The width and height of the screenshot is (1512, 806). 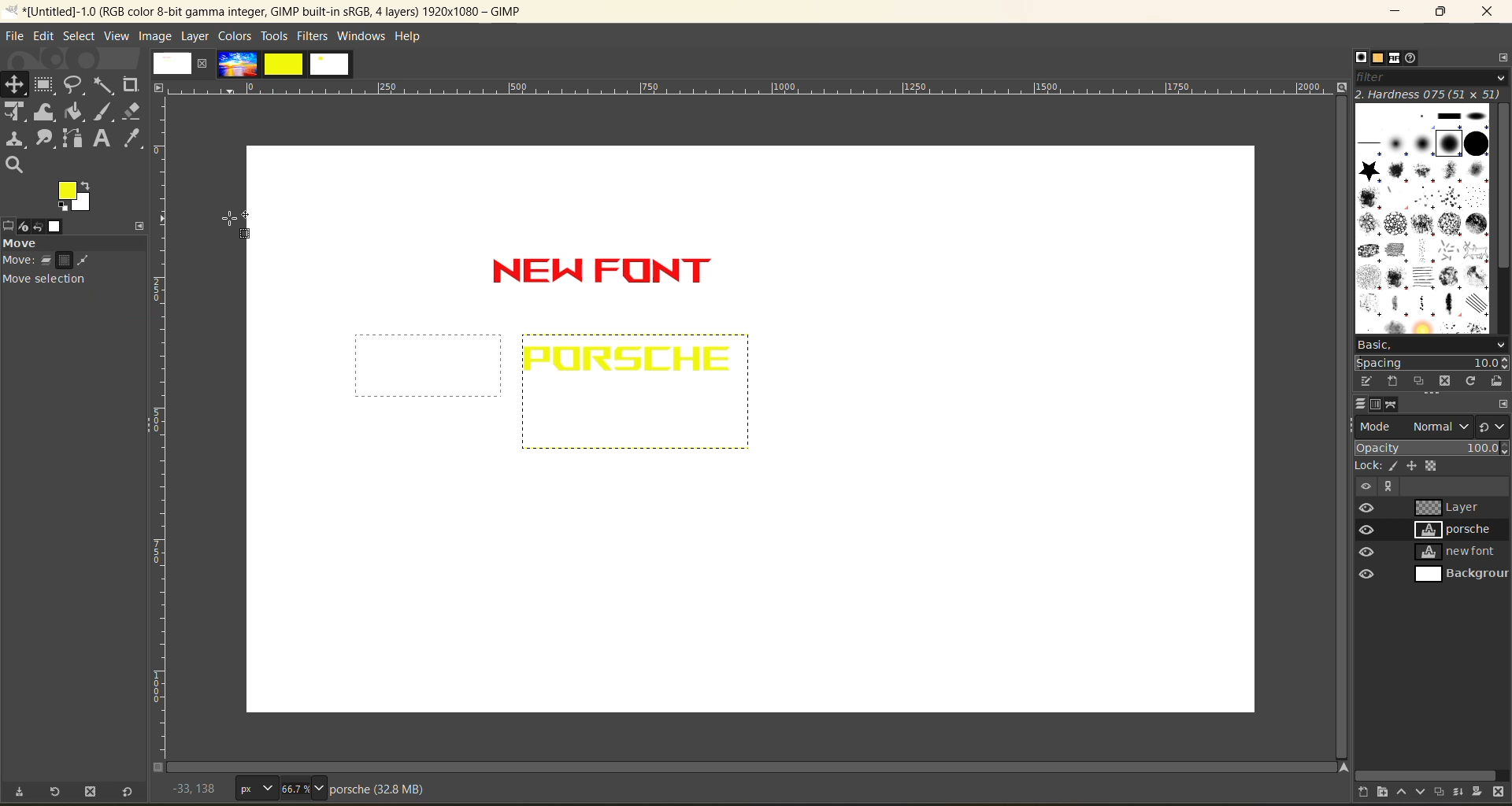 I want to click on text after action redone, so click(x=629, y=360).